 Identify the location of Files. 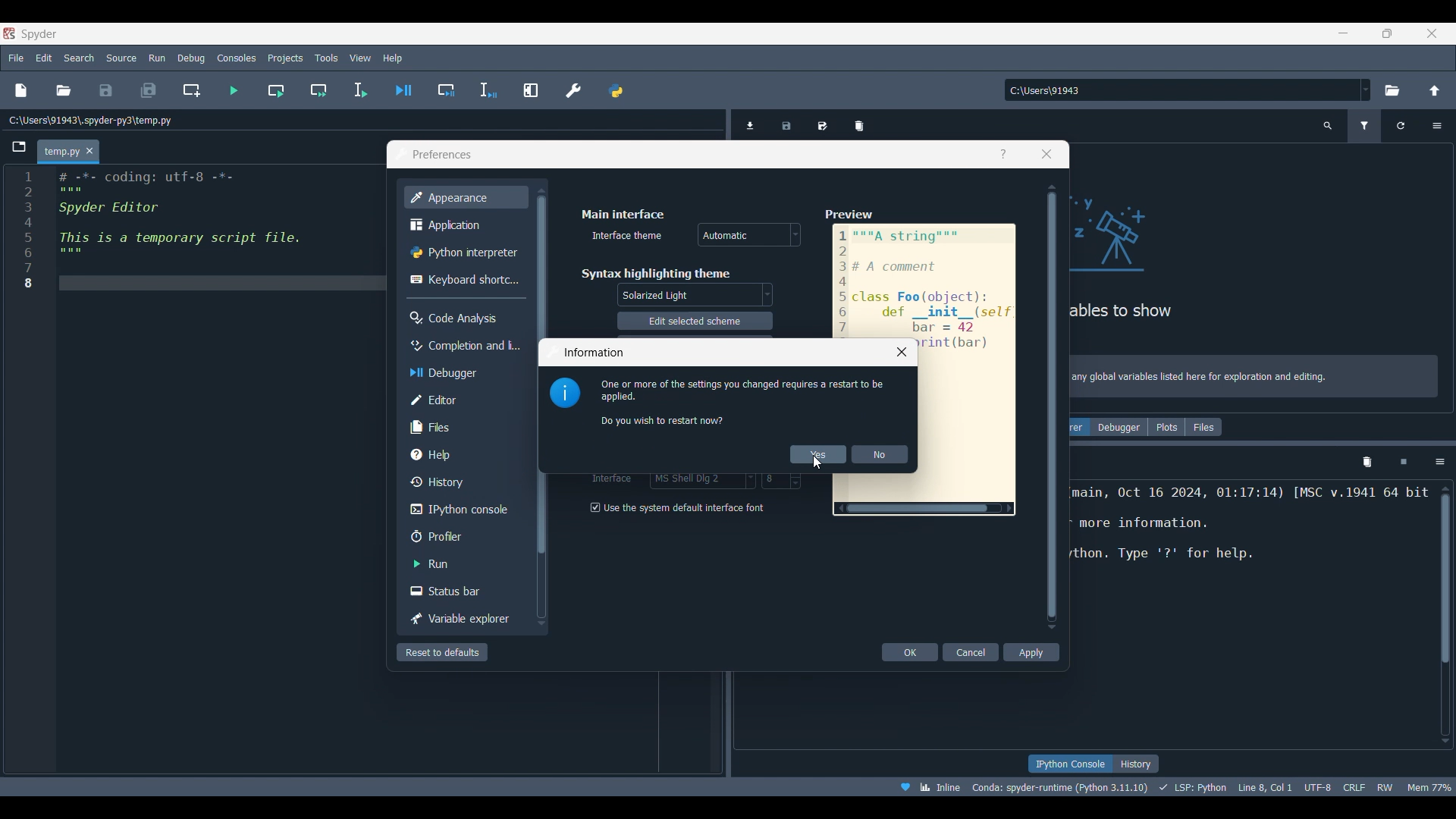
(1203, 427).